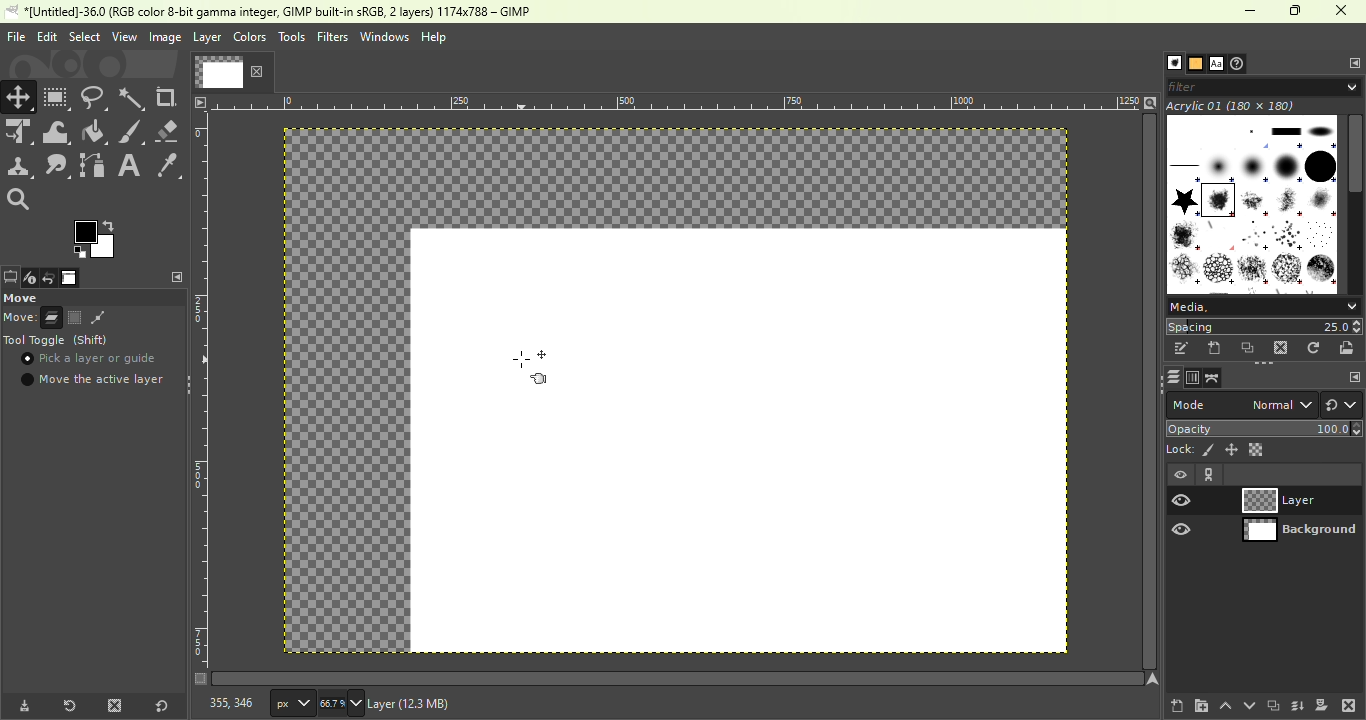  What do you see at coordinates (1224, 706) in the screenshot?
I see `Move this layer to the top of the layer stack` at bounding box center [1224, 706].